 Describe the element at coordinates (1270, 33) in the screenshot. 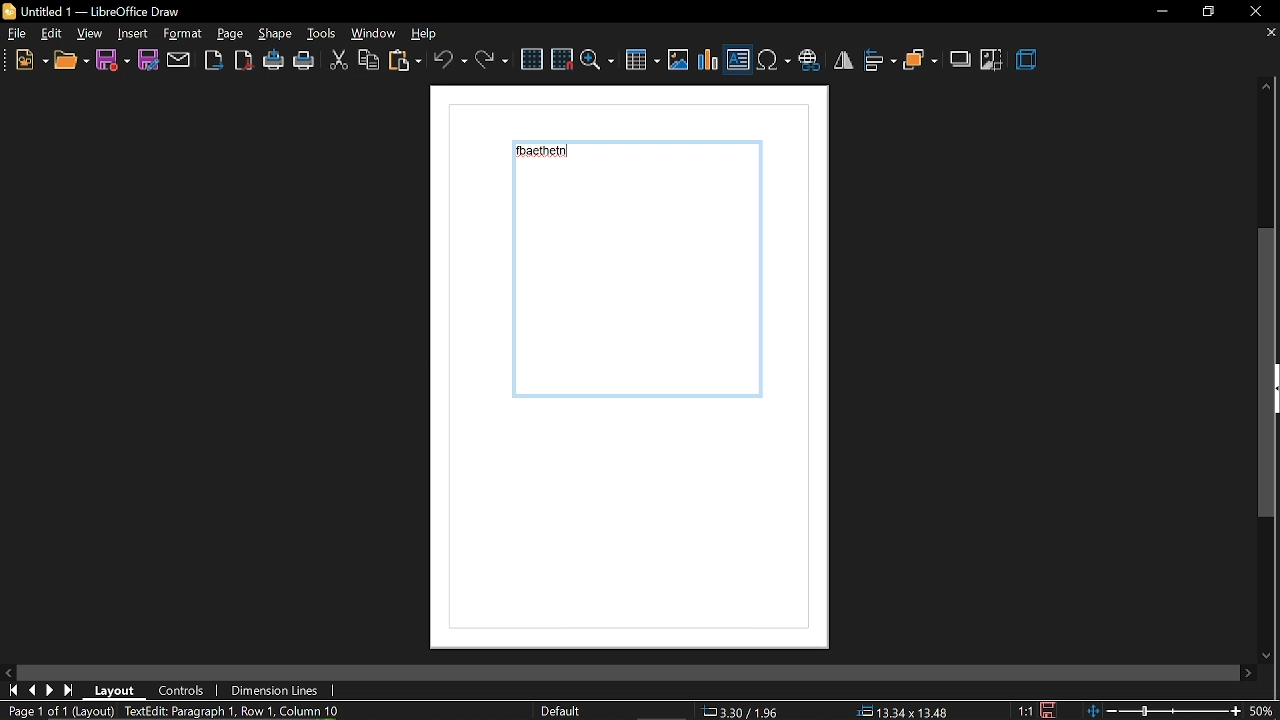

I see `CLose tab` at that location.